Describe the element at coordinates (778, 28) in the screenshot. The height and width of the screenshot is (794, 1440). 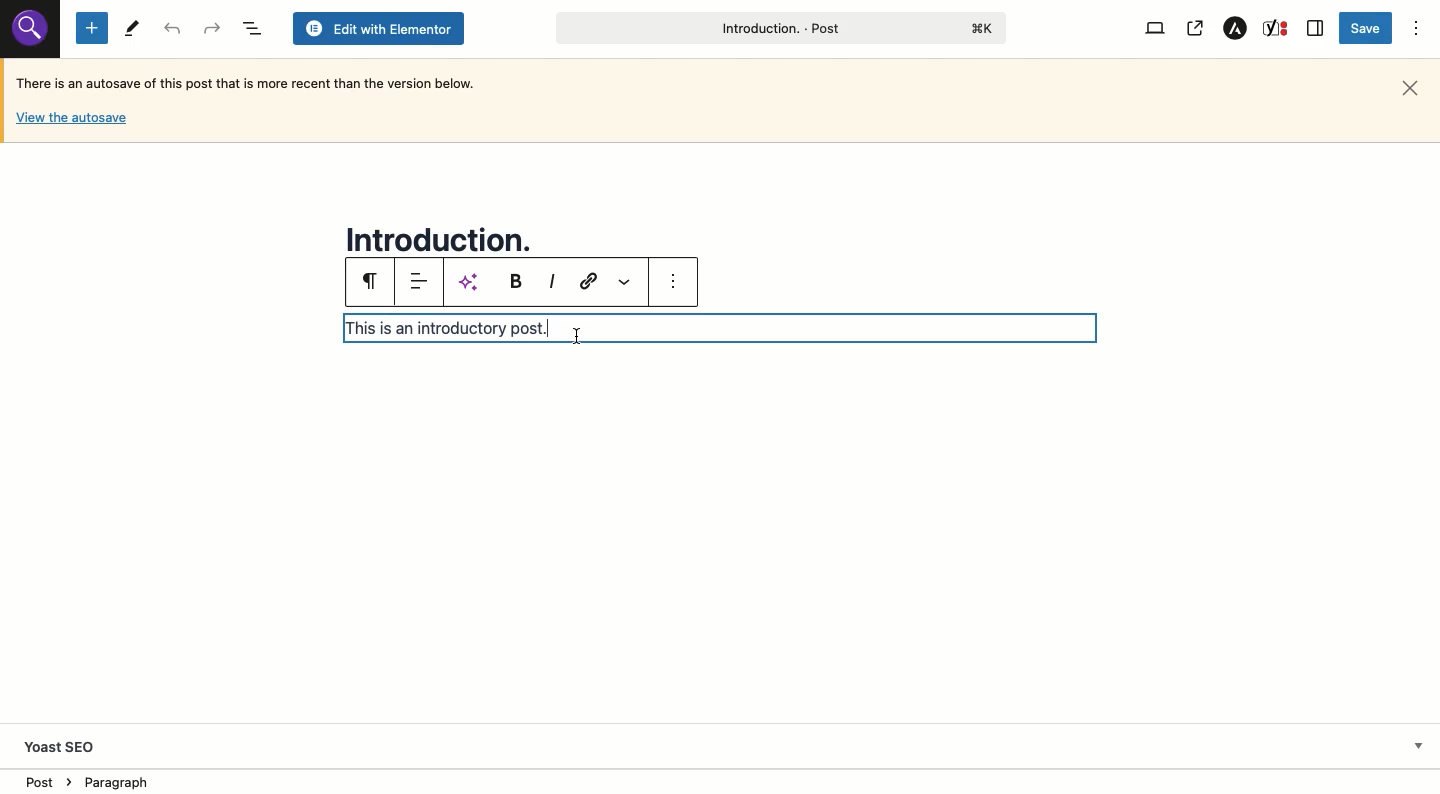
I see `Post` at that location.